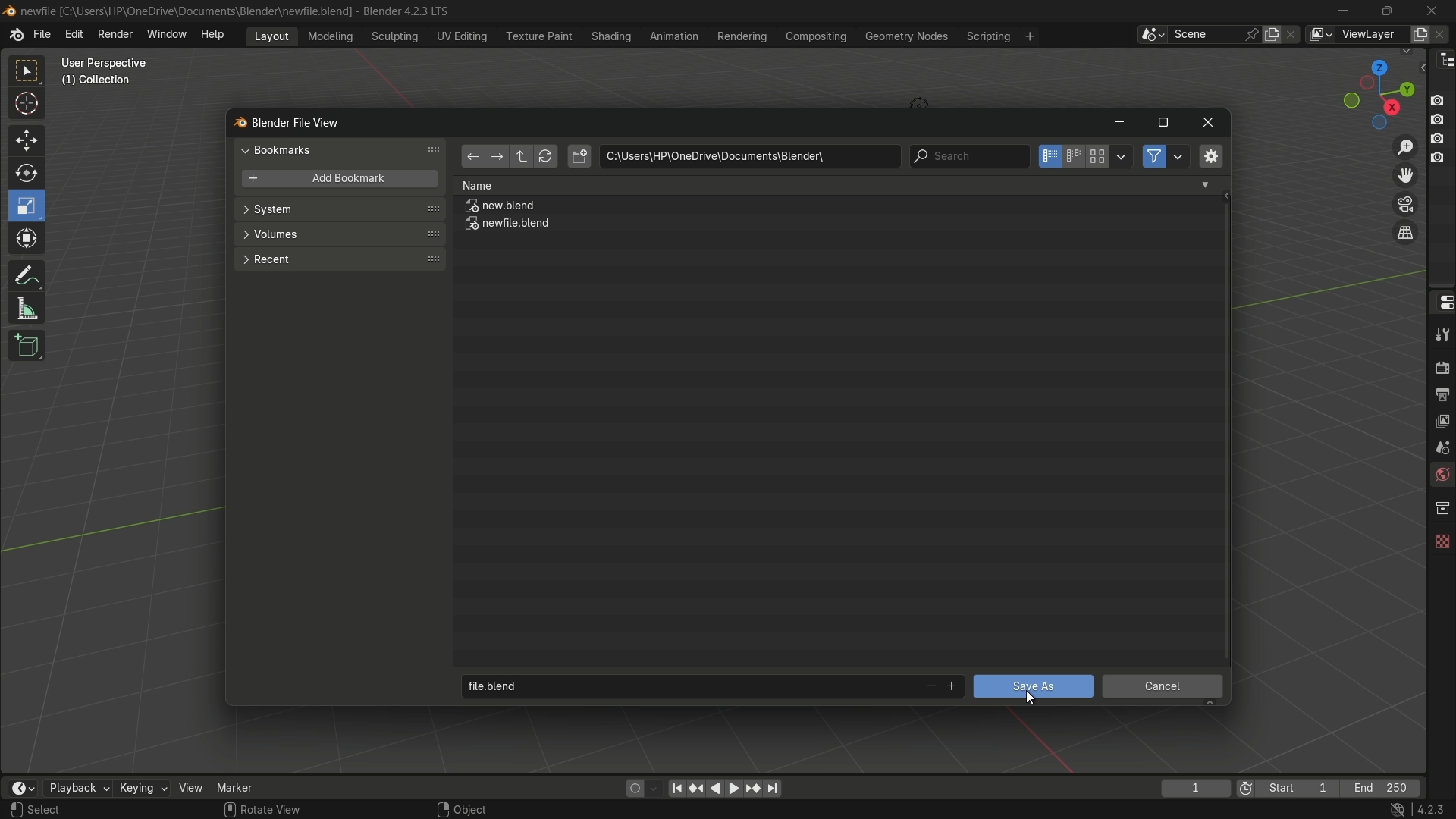 The height and width of the screenshot is (819, 1456). What do you see at coordinates (74, 34) in the screenshot?
I see `edit menu` at bounding box center [74, 34].